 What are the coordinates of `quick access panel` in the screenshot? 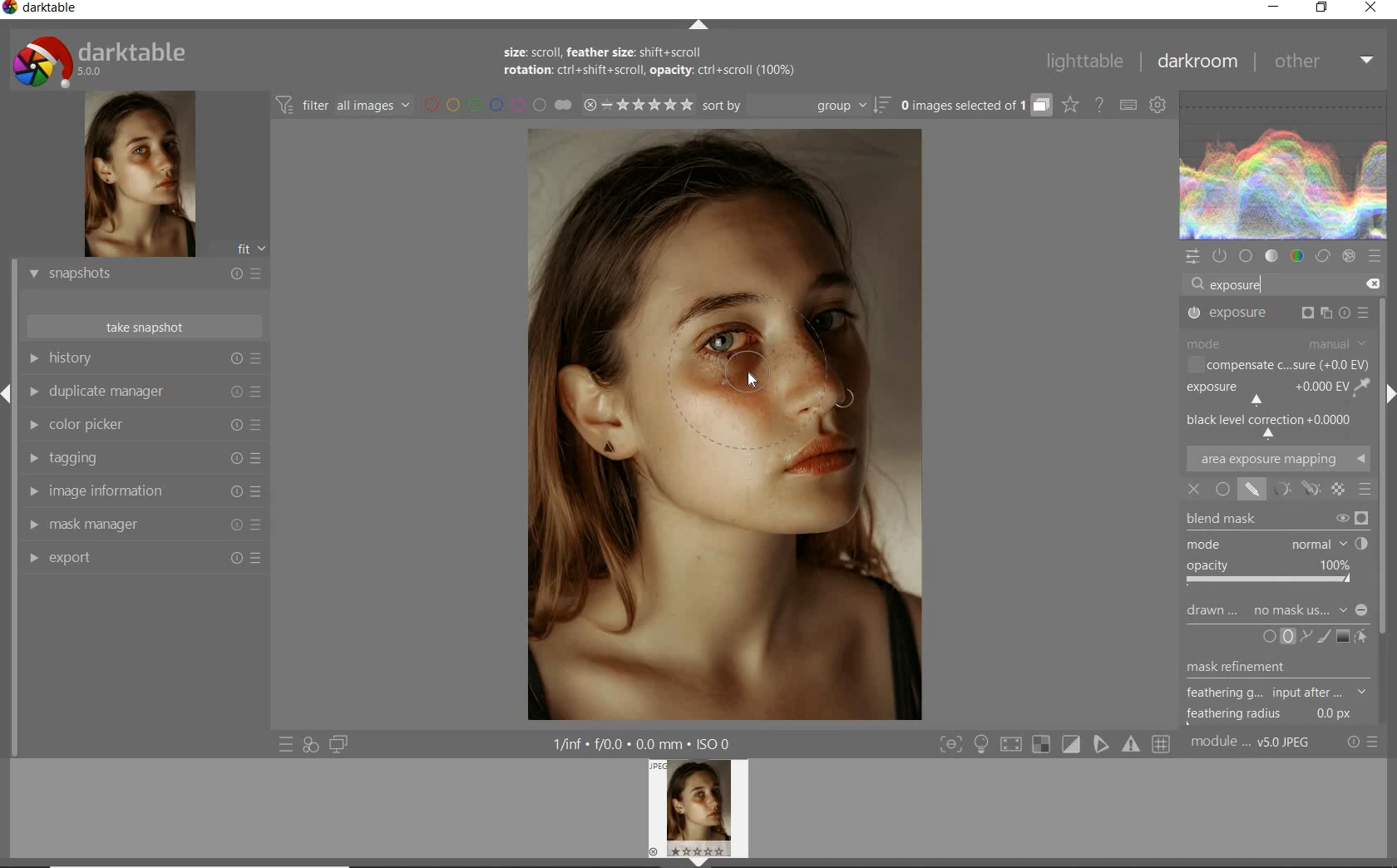 It's located at (1191, 257).